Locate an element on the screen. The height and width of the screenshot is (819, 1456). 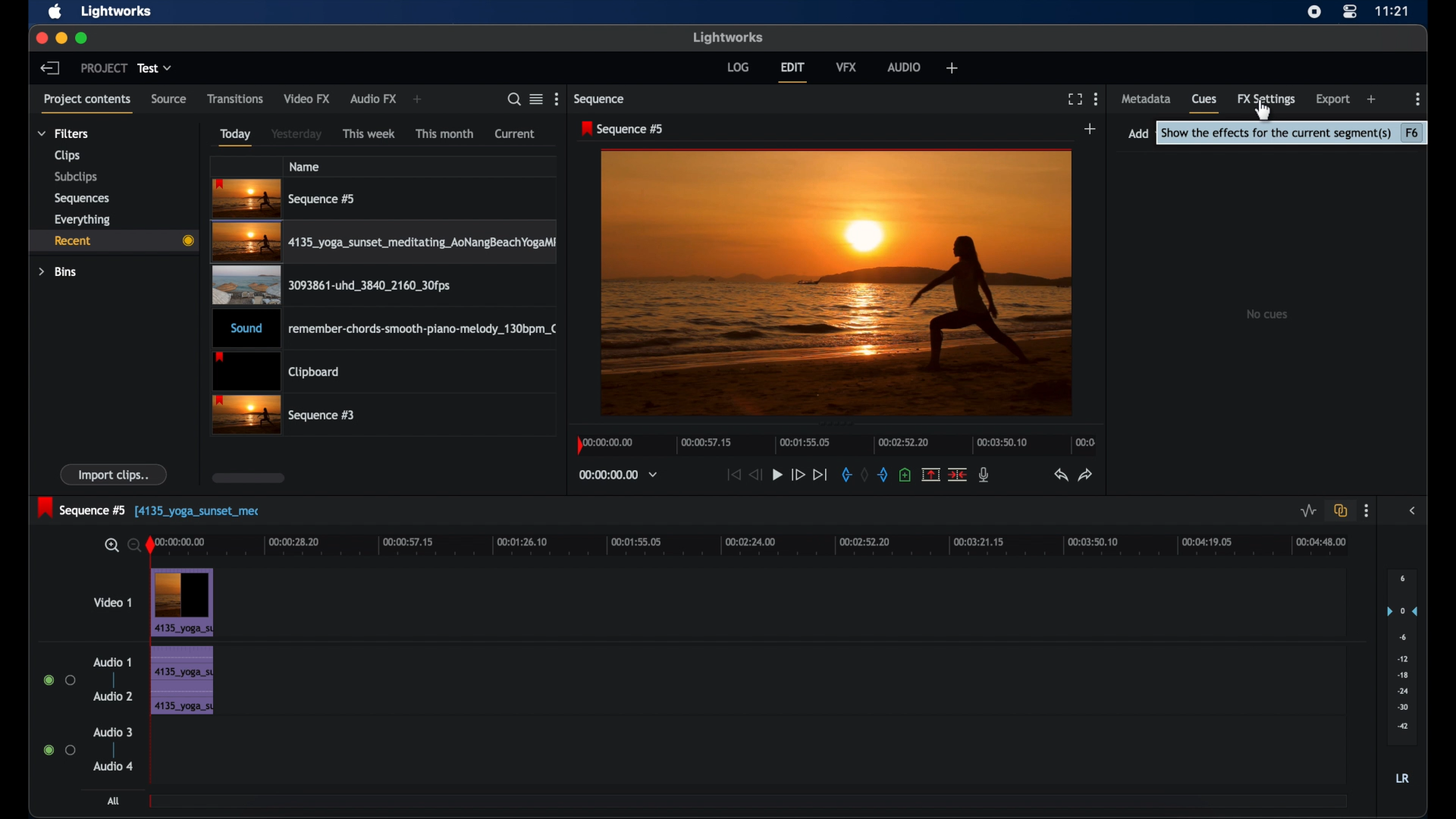
remove the marked section is located at coordinates (930, 475).